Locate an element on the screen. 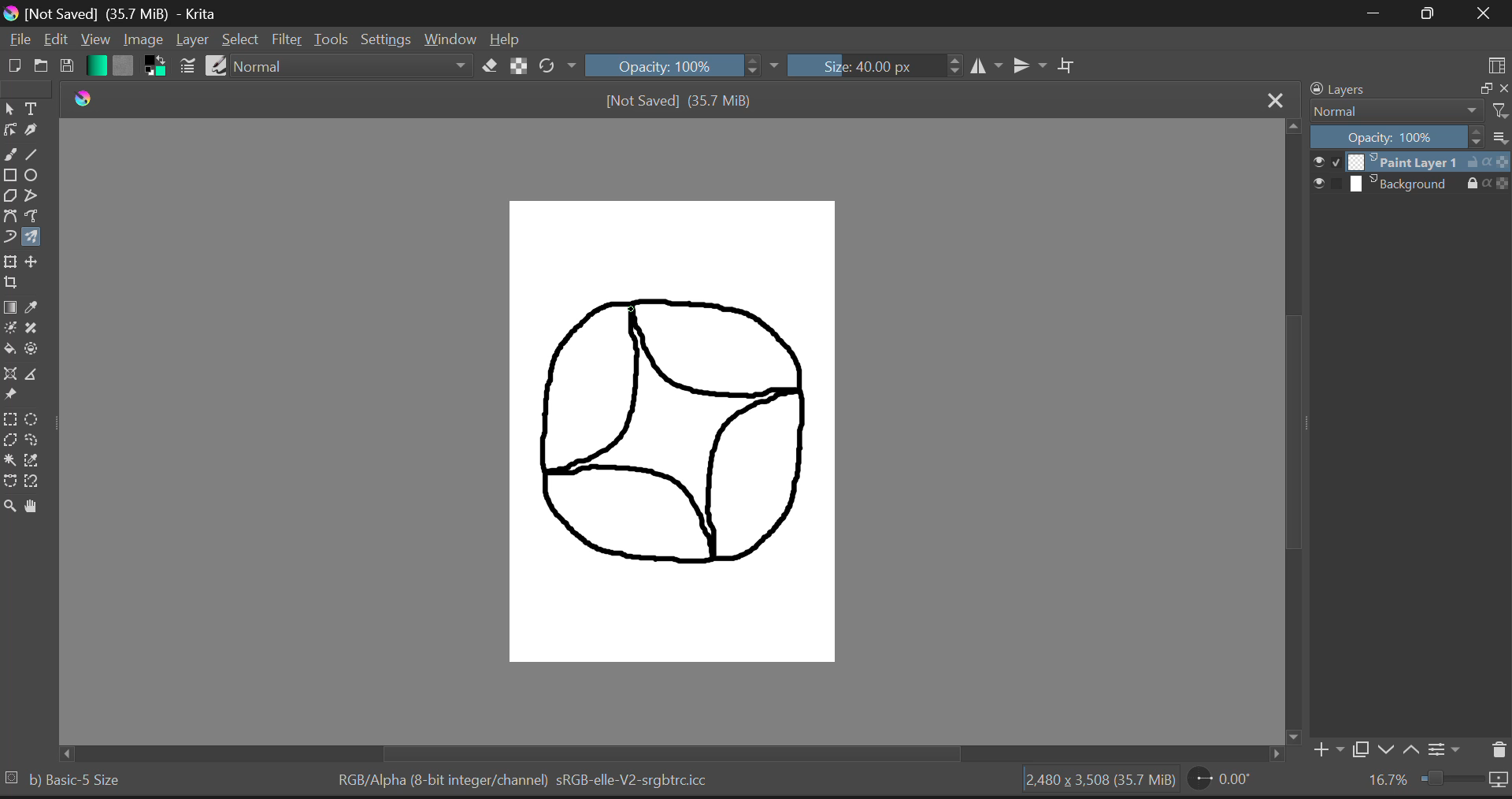 This screenshot has width=1512, height=799. Rectangular Selection is located at coordinates (13, 420).